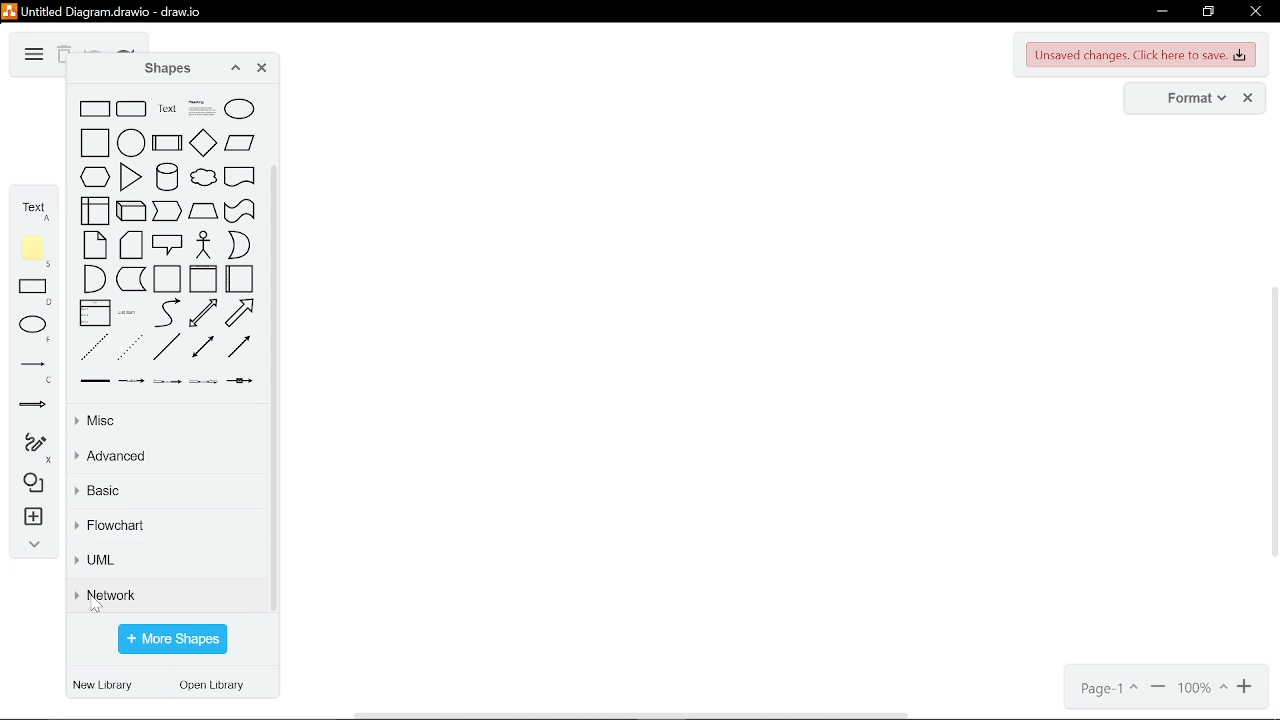  Describe the element at coordinates (30, 547) in the screenshot. I see `collapse` at that location.